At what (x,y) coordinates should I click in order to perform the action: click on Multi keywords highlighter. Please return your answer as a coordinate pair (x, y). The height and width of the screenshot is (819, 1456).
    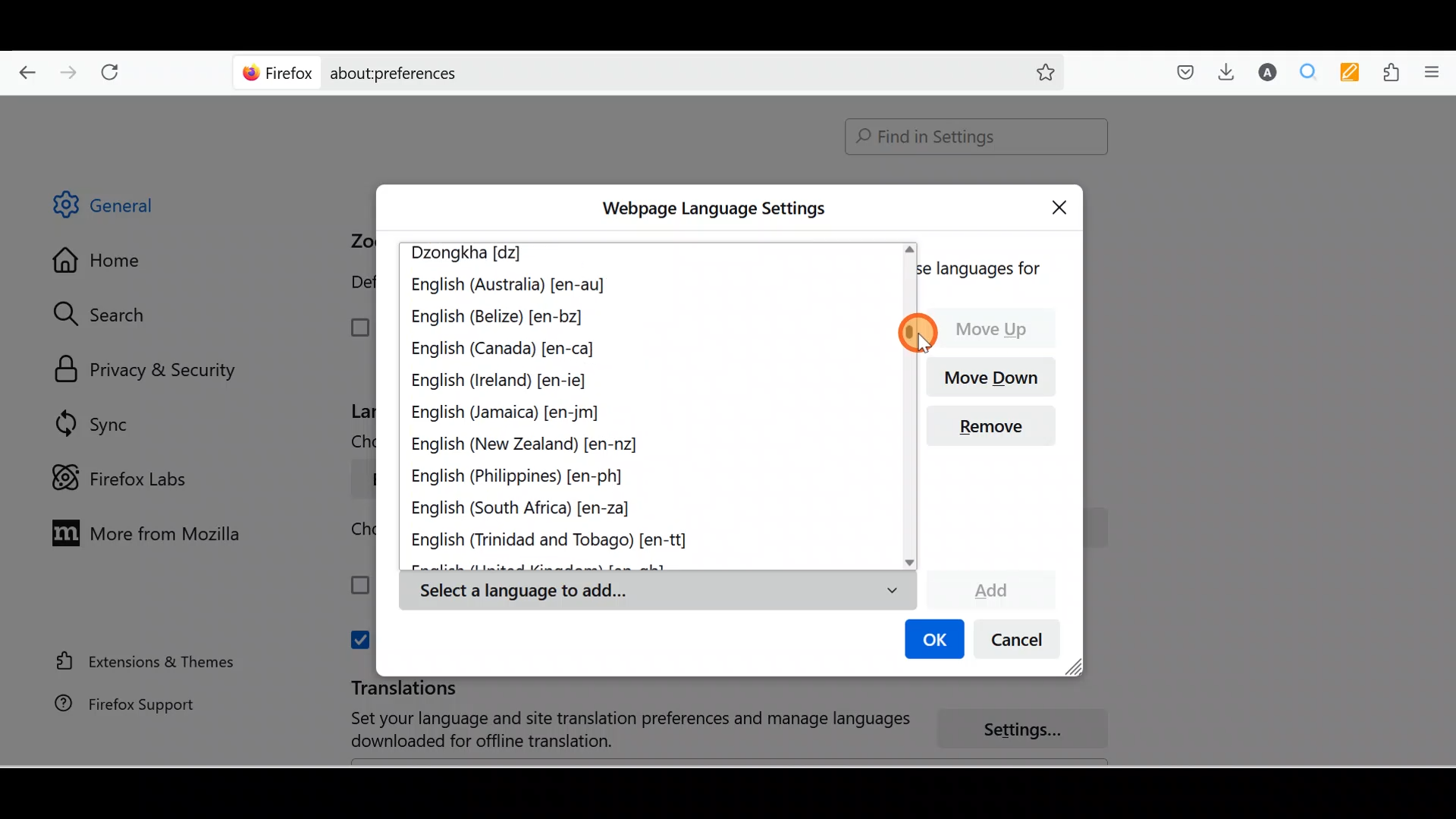
    Looking at the image, I should click on (1354, 74).